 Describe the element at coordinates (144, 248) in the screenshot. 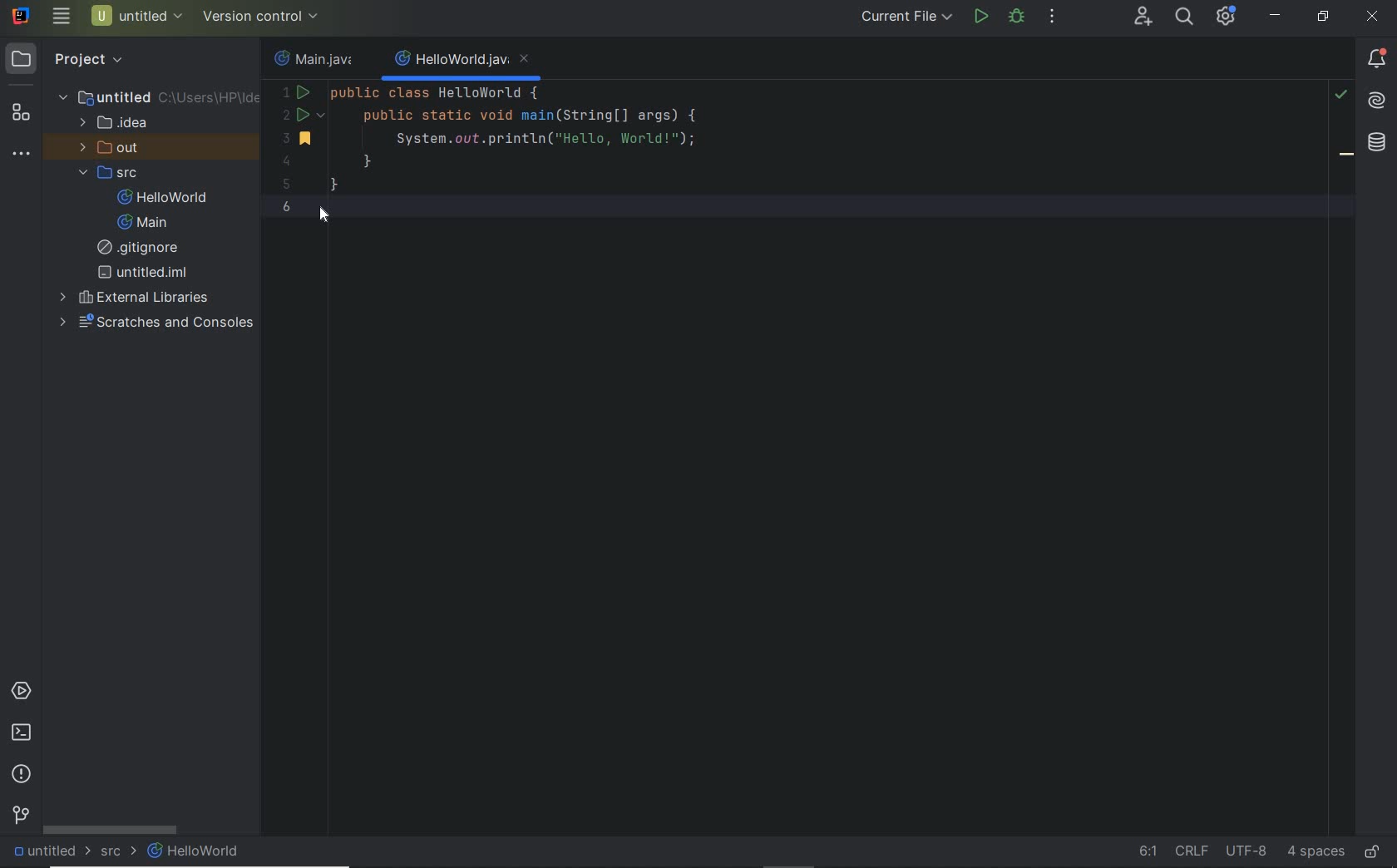

I see `gitignore` at that location.